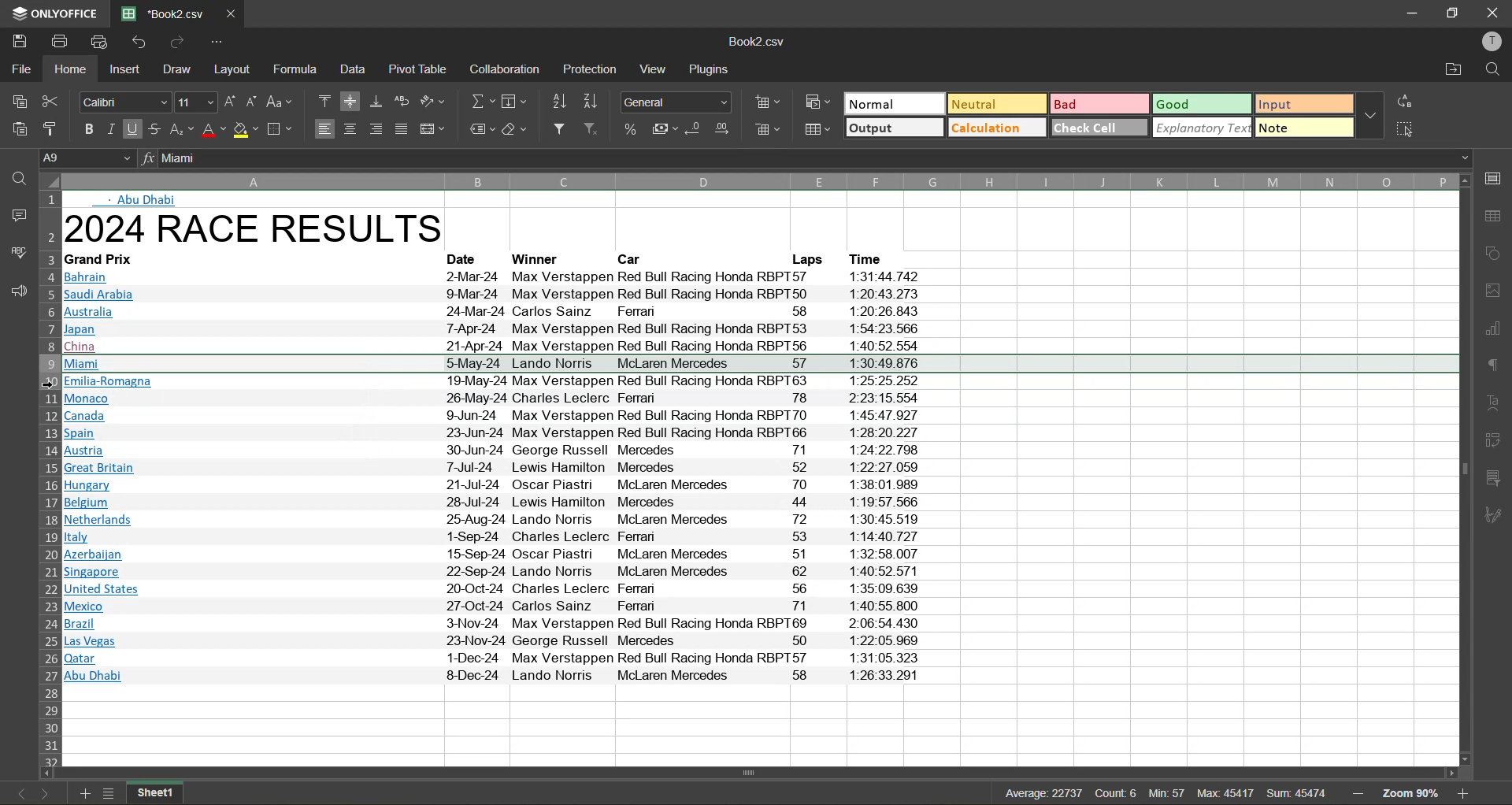  What do you see at coordinates (516, 130) in the screenshot?
I see `clear` at bounding box center [516, 130].